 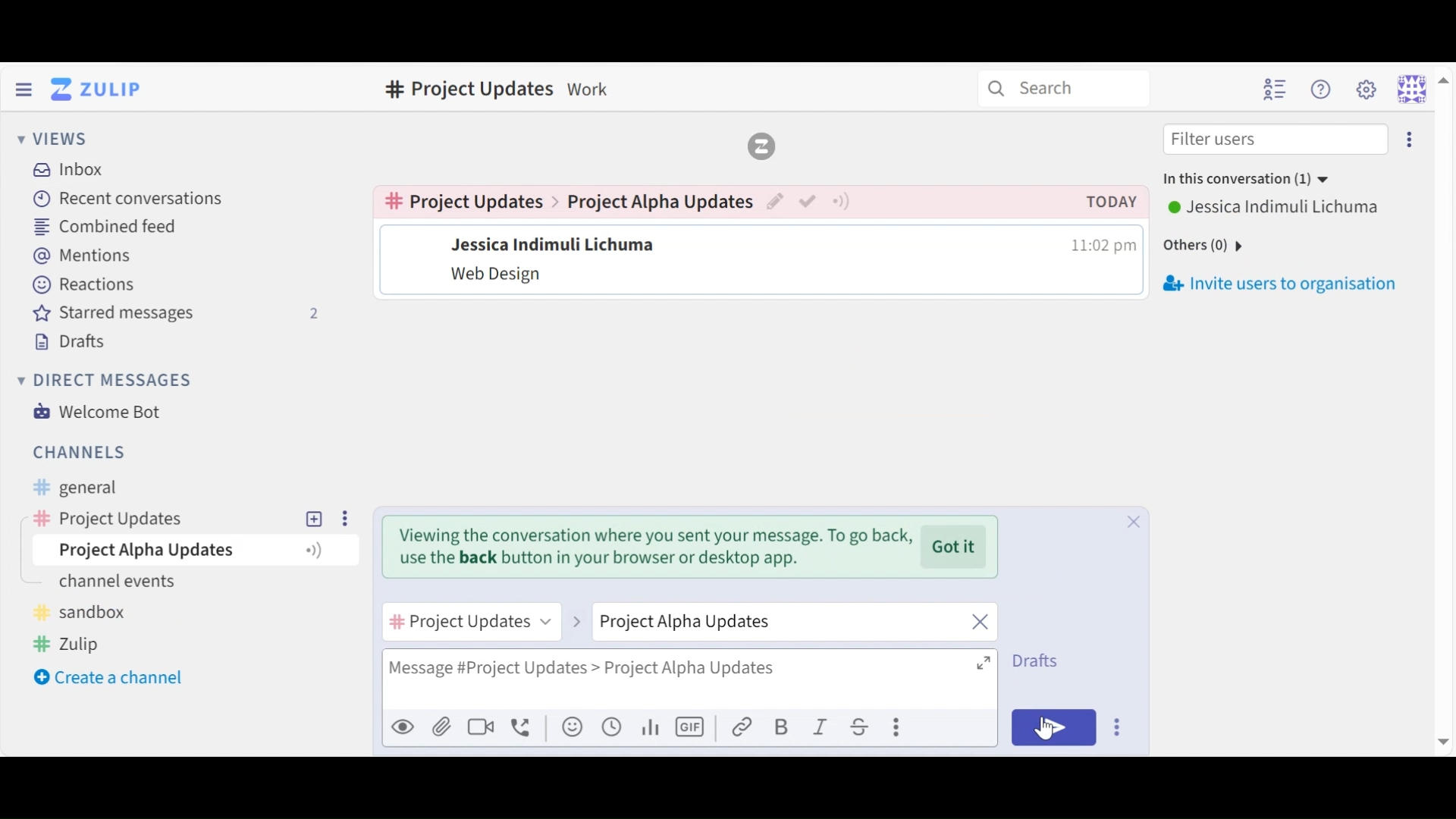 What do you see at coordinates (1366, 88) in the screenshot?
I see `Settings menu` at bounding box center [1366, 88].